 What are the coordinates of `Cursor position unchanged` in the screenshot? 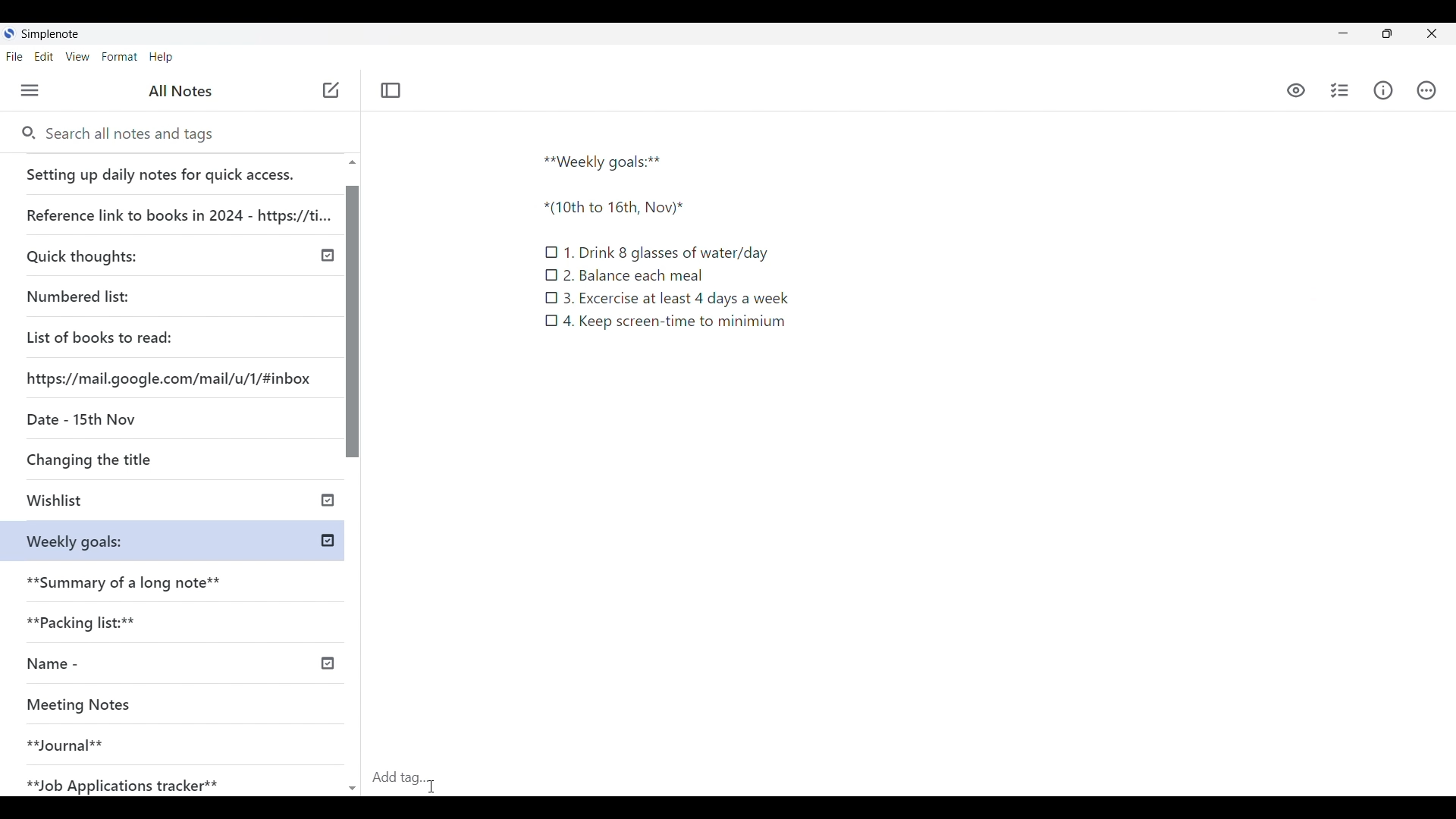 It's located at (331, 91).